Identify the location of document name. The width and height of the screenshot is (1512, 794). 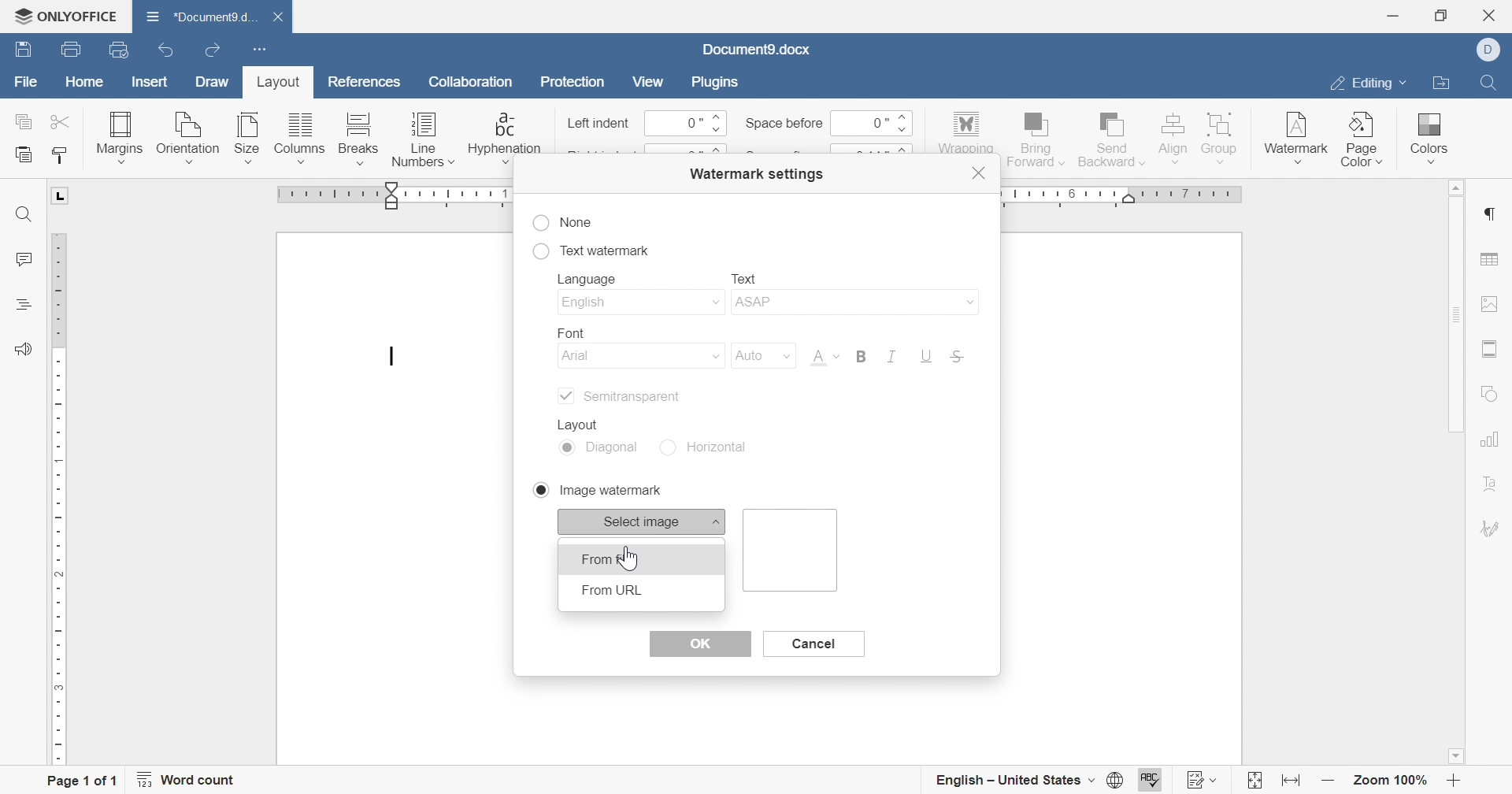
(198, 16).